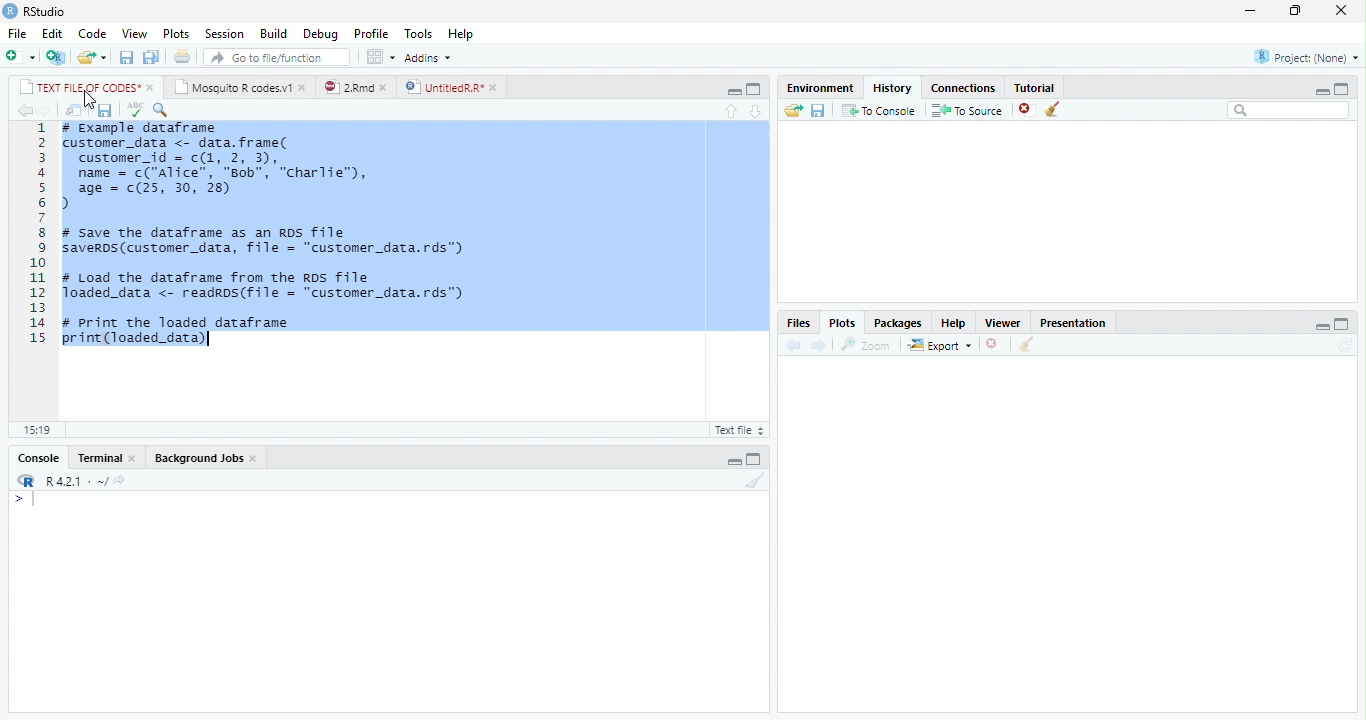 The height and width of the screenshot is (720, 1366). I want to click on TEXT FILE OF CODES, so click(76, 87).